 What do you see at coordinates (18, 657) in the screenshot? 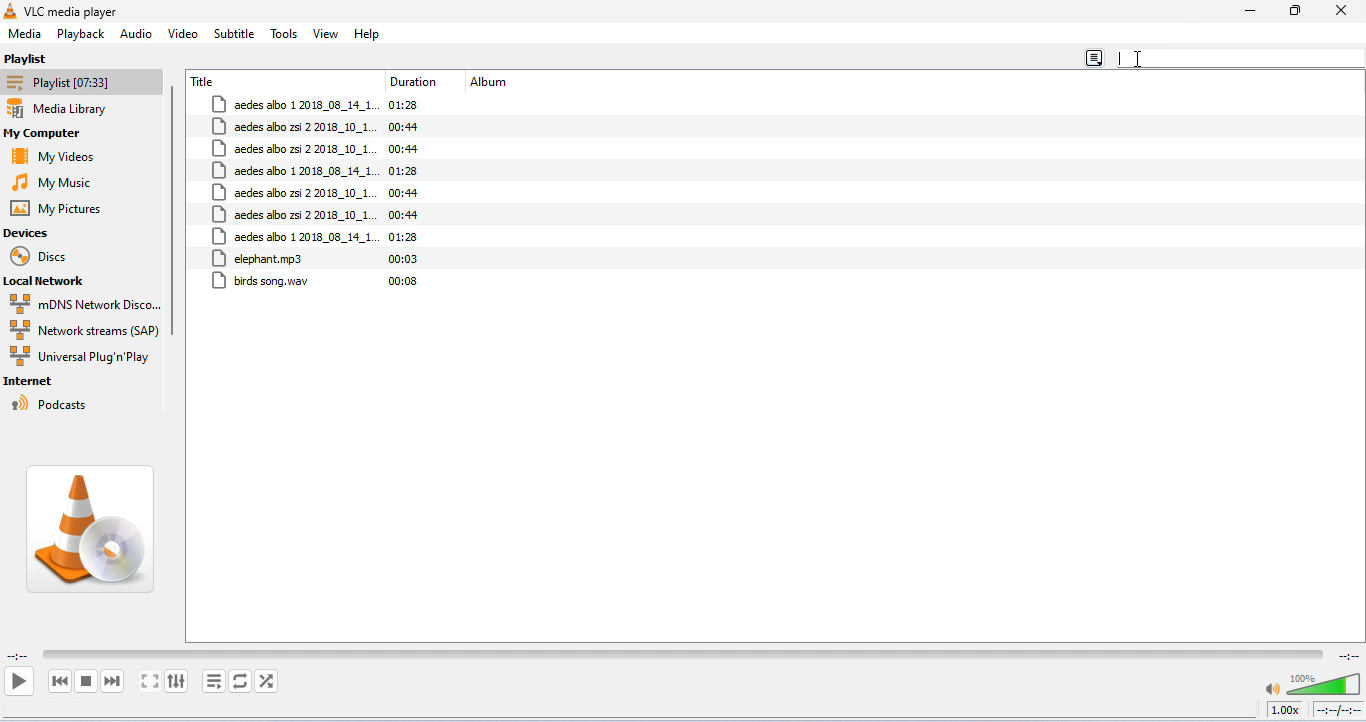
I see `elapsed time` at bounding box center [18, 657].